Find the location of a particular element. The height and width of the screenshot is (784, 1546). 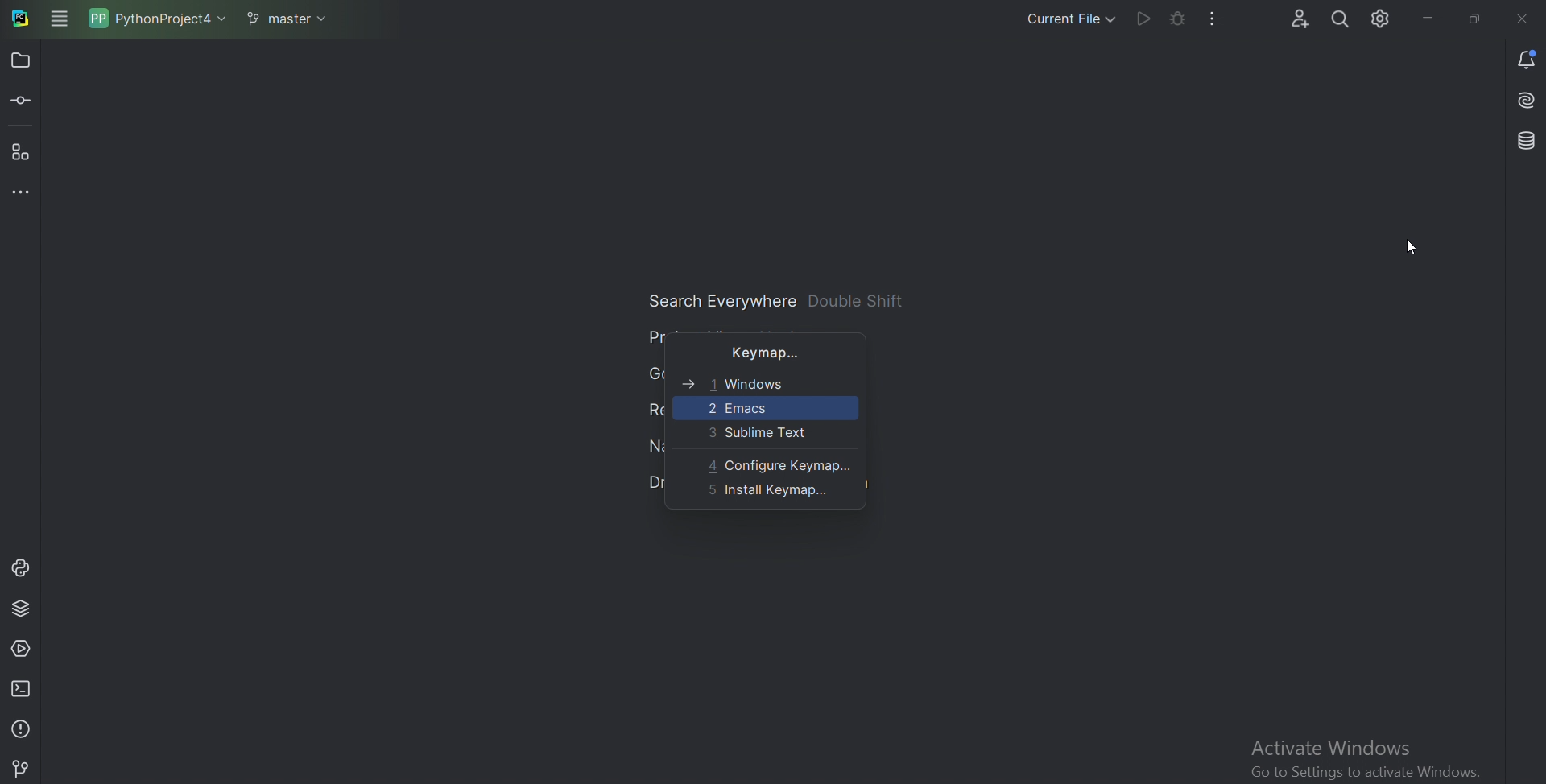

master is located at coordinates (286, 18).